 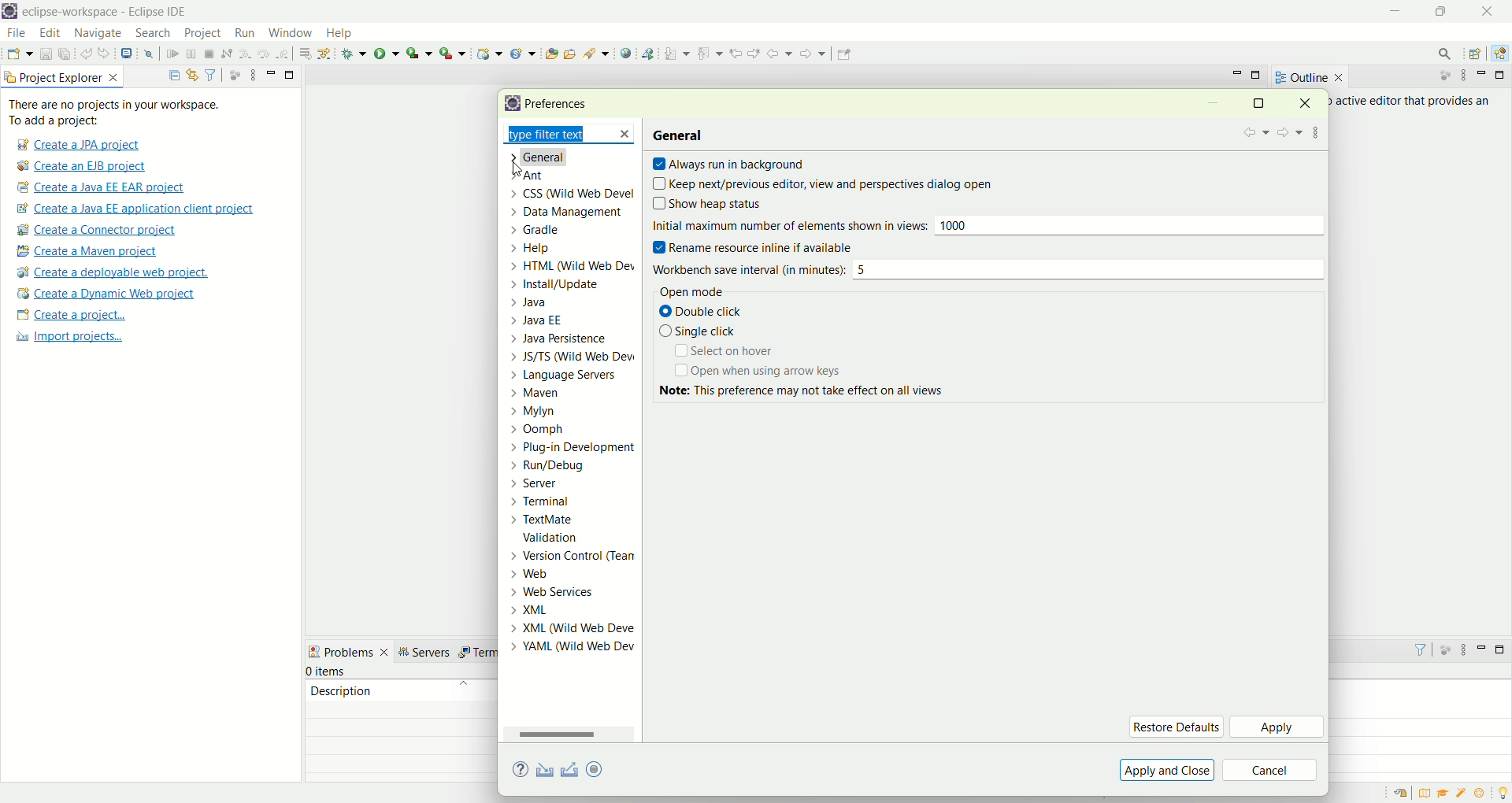 What do you see at coordinates (271, 72) in the screenshot?
I see `minimize` at bounding box center [271, 72].